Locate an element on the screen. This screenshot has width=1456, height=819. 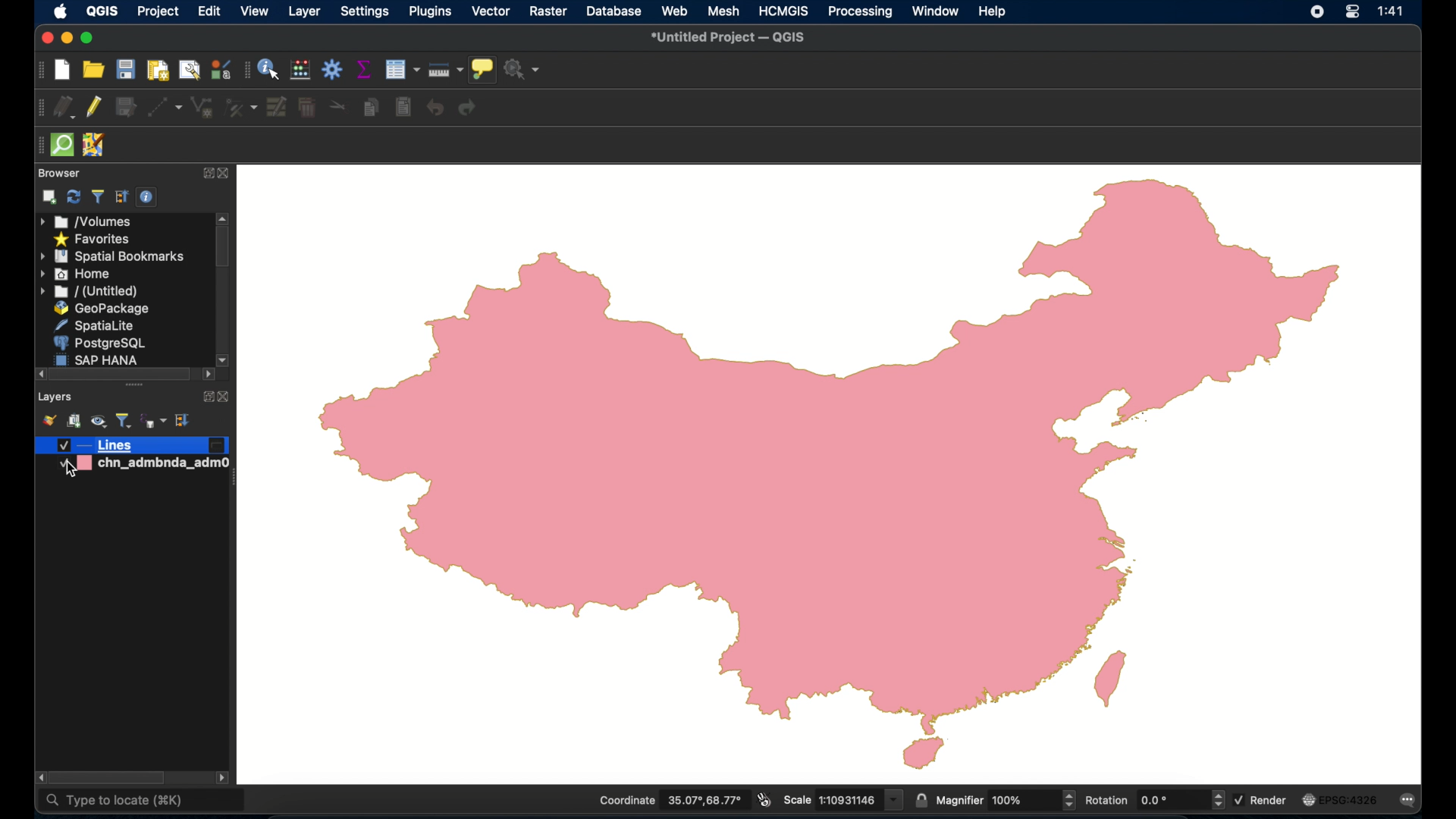
save project is located at coordinates (125, 69).